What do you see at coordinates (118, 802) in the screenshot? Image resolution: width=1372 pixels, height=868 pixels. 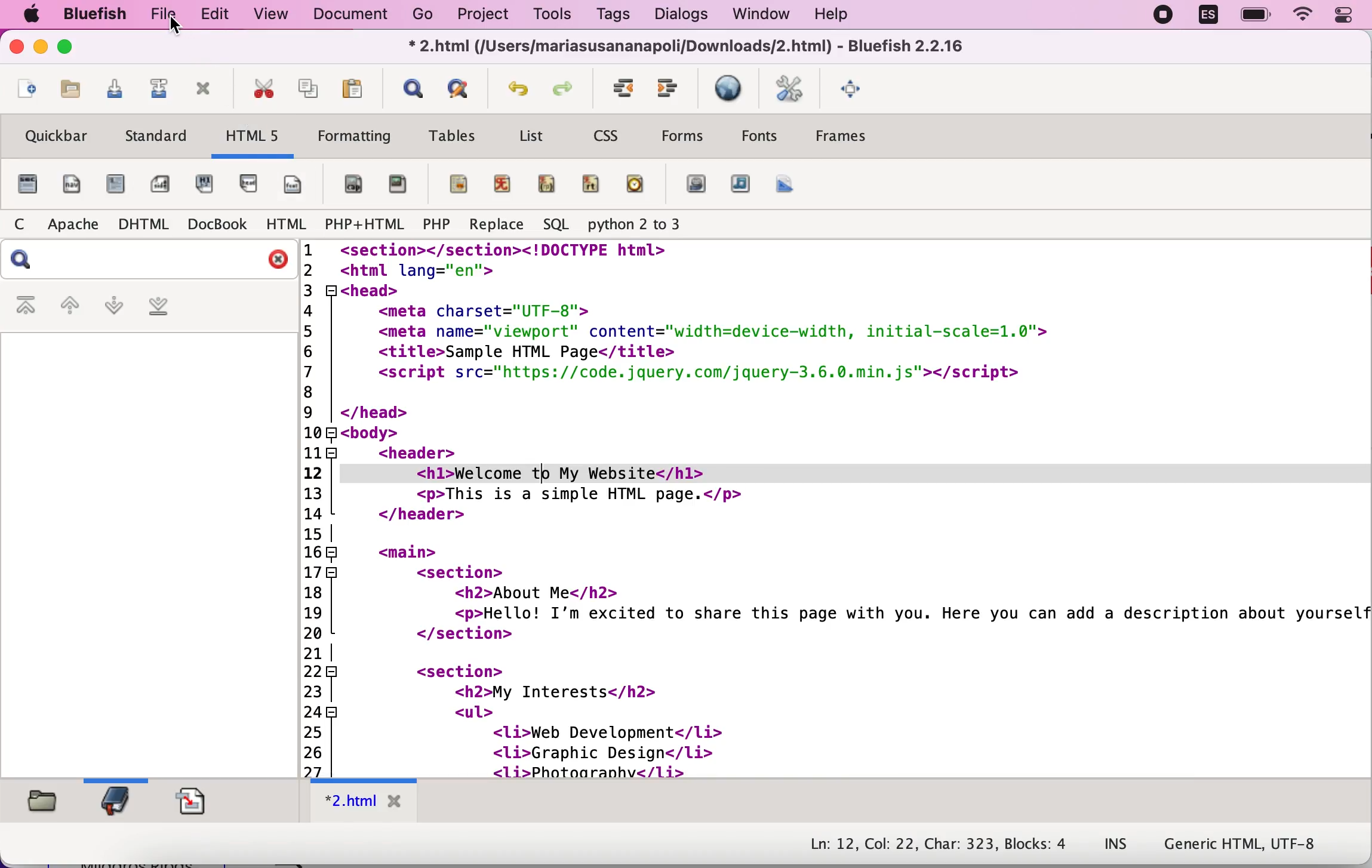 I see `bookmarks` at bounding box center [118, 802].